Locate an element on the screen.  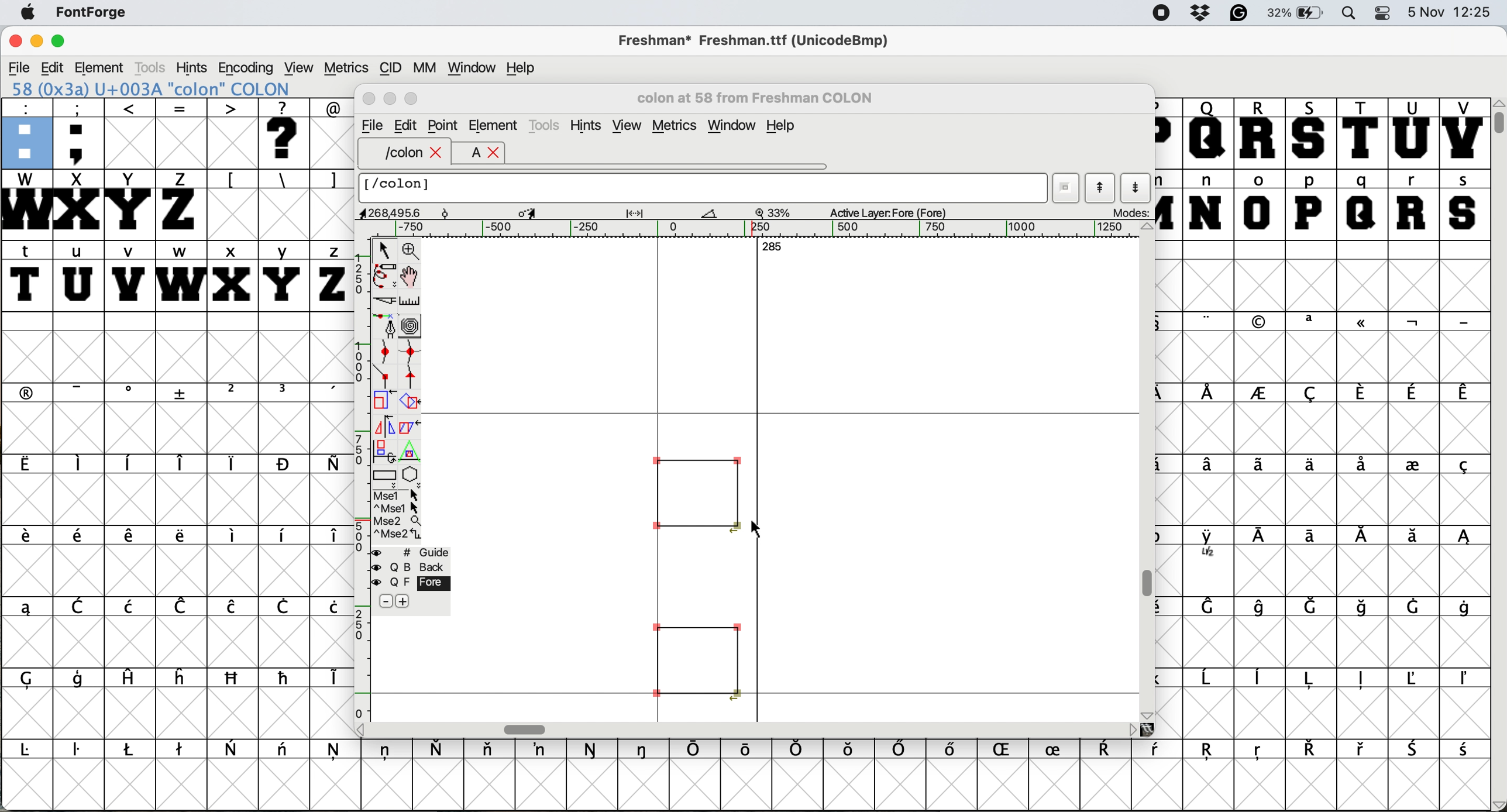
symbol is located at coordinates (1363, 325).